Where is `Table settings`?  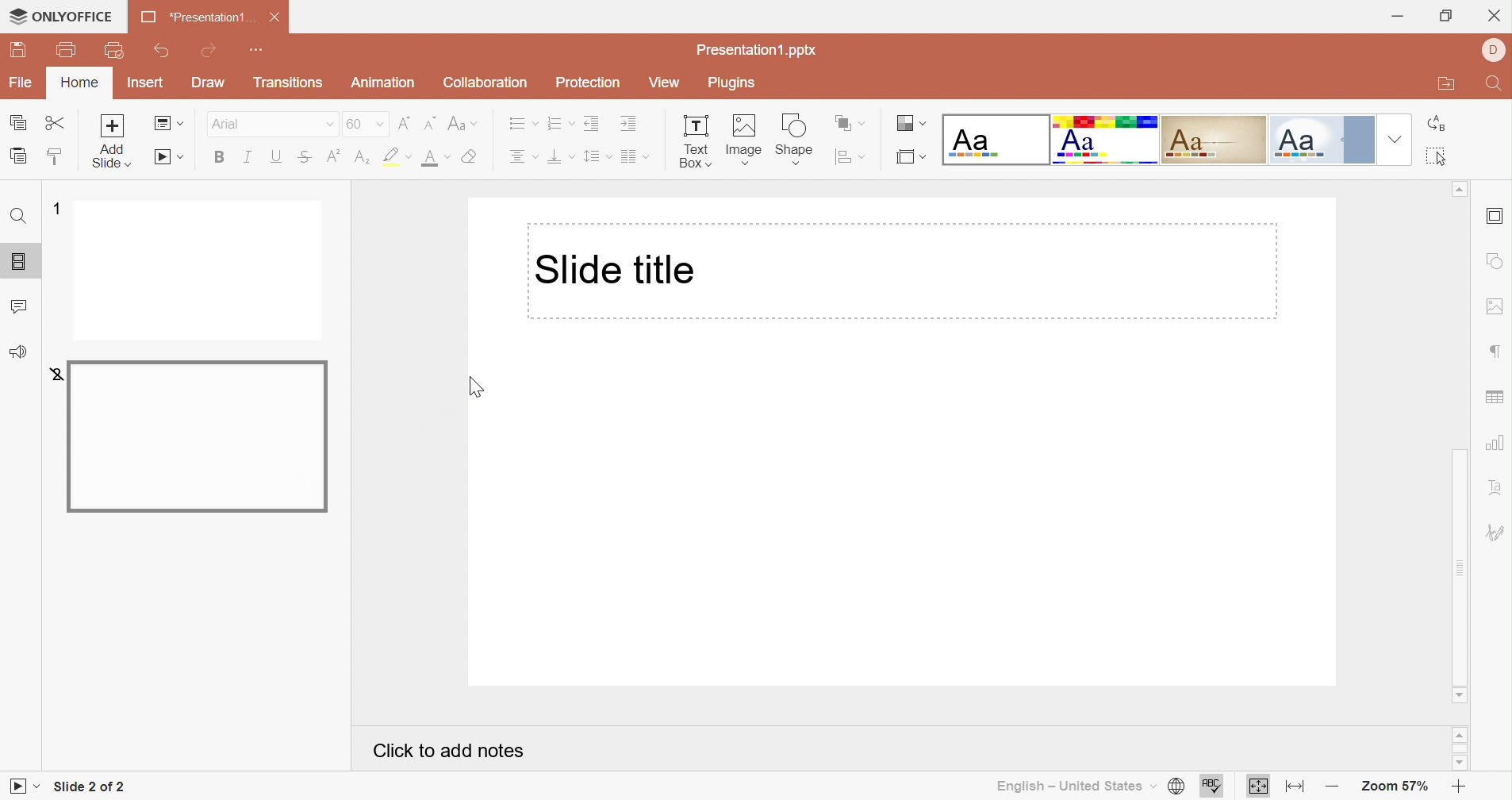 Table settings is located at coordinates (1496, 399).